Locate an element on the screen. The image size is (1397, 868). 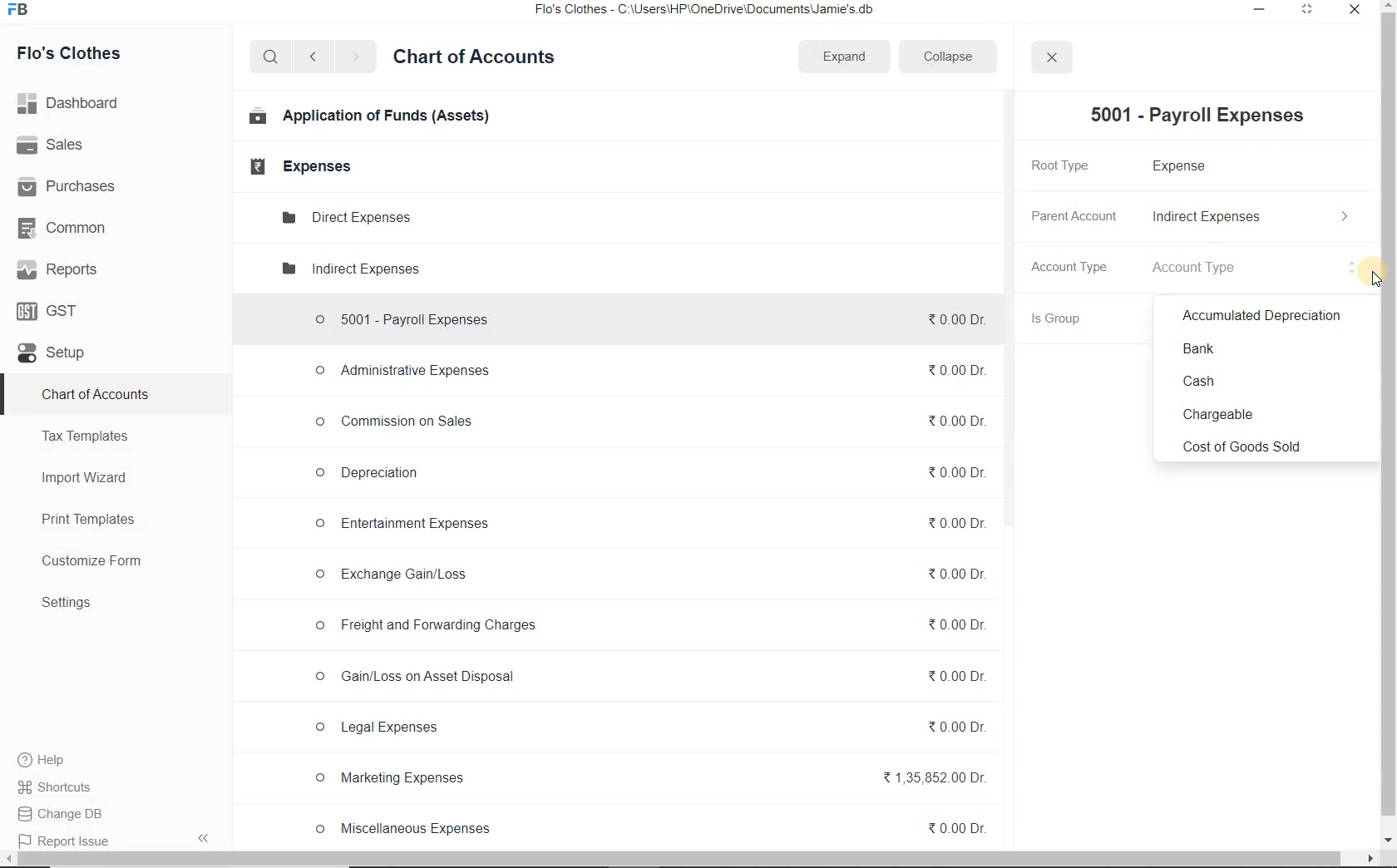
horizontal scrollbar is located at coordinates (681, 859).